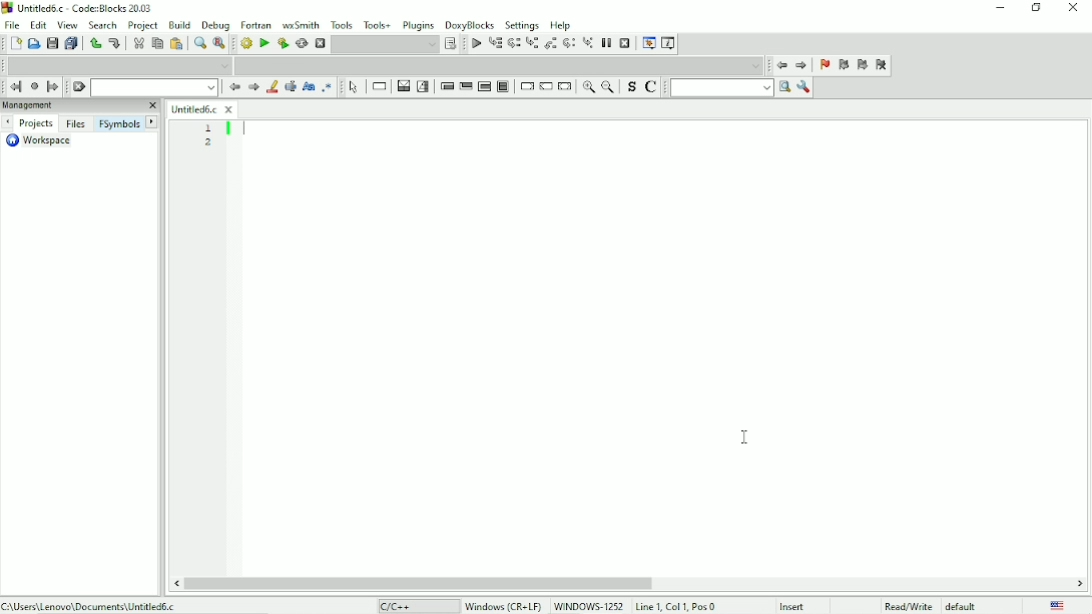  What do you see at coordinates (34, 43) in the screenshot?
I see `Open` at bounding box center [34, 43].